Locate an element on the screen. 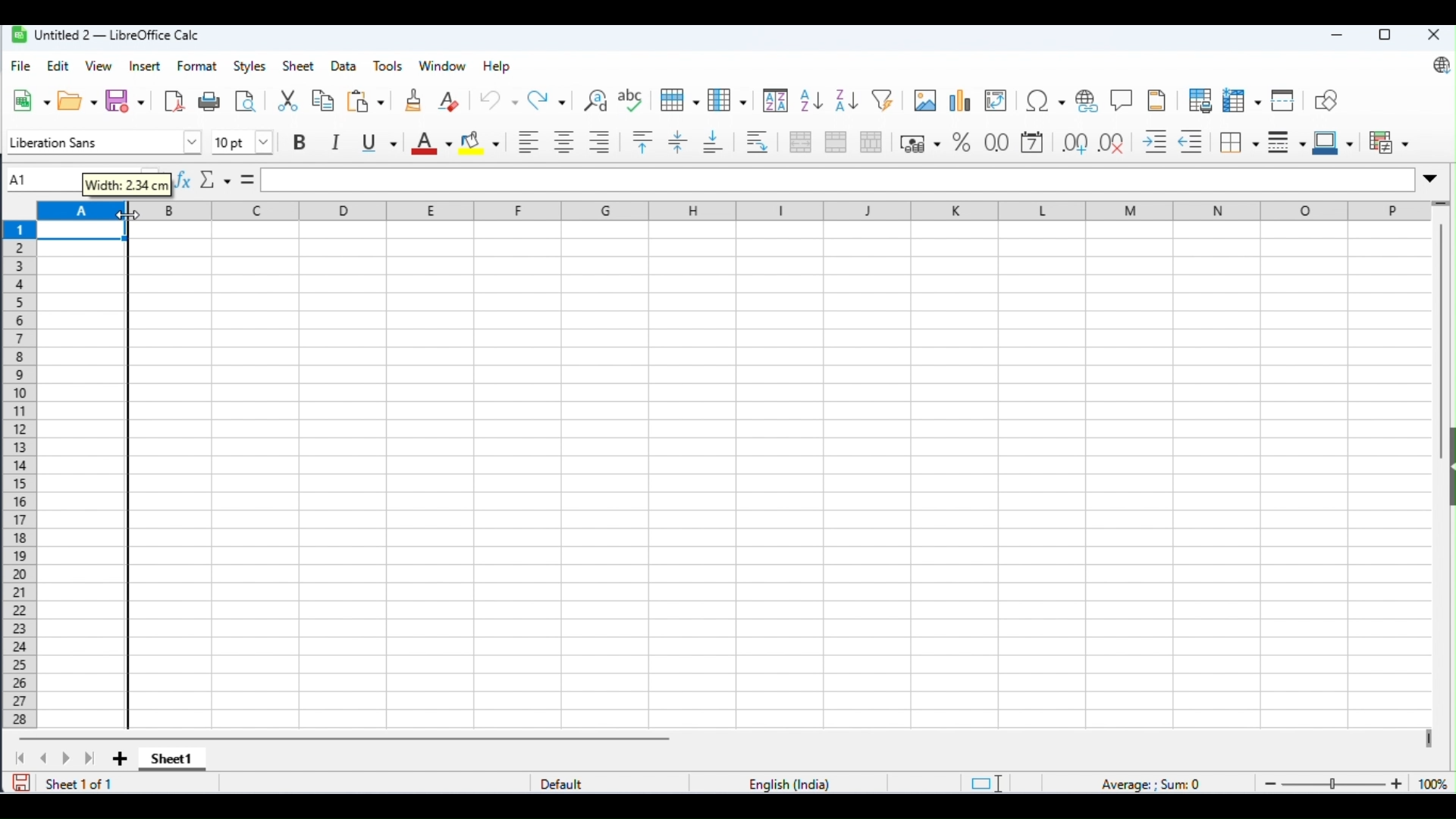 This screenshot has height=819, width=1456. merge and center is located at coordinates (801, 142).